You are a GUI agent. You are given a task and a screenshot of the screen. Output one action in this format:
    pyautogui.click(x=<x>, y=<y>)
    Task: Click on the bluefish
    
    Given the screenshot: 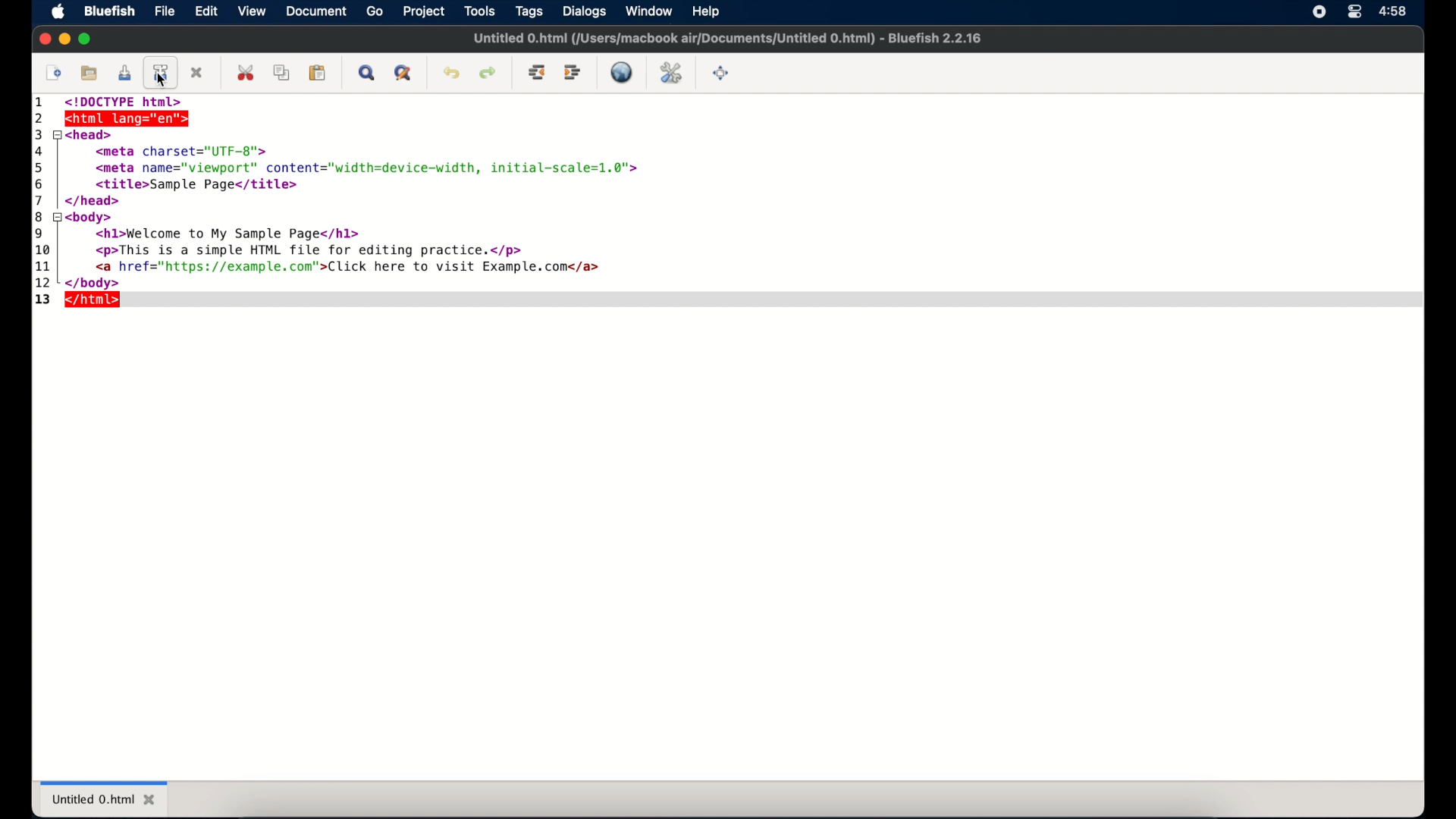 What is the action you would take?
    pyautogui.click(x=110, y=11)
    